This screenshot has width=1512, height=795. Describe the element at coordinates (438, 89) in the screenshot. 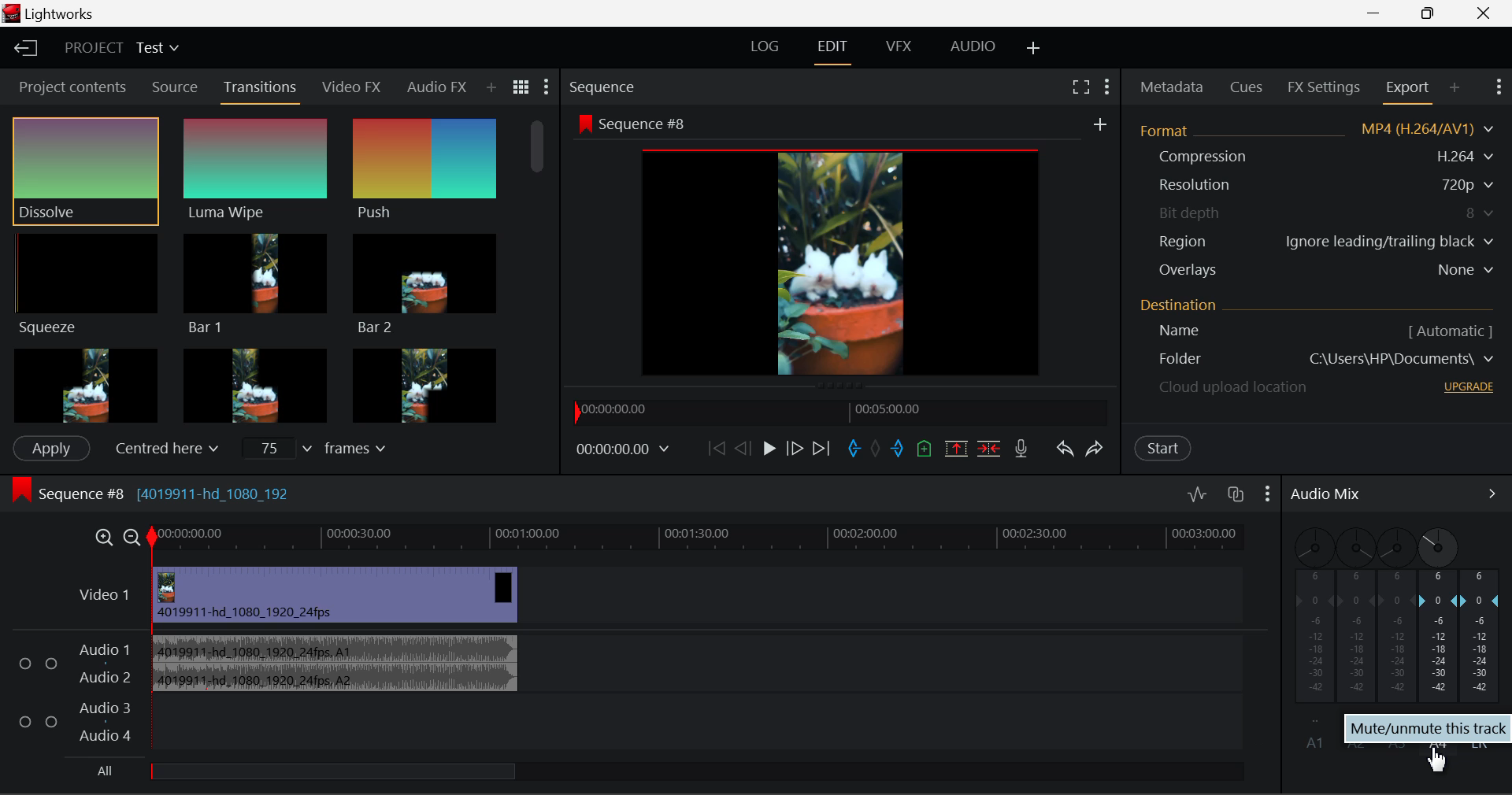

I see `Audio FX` at that location.